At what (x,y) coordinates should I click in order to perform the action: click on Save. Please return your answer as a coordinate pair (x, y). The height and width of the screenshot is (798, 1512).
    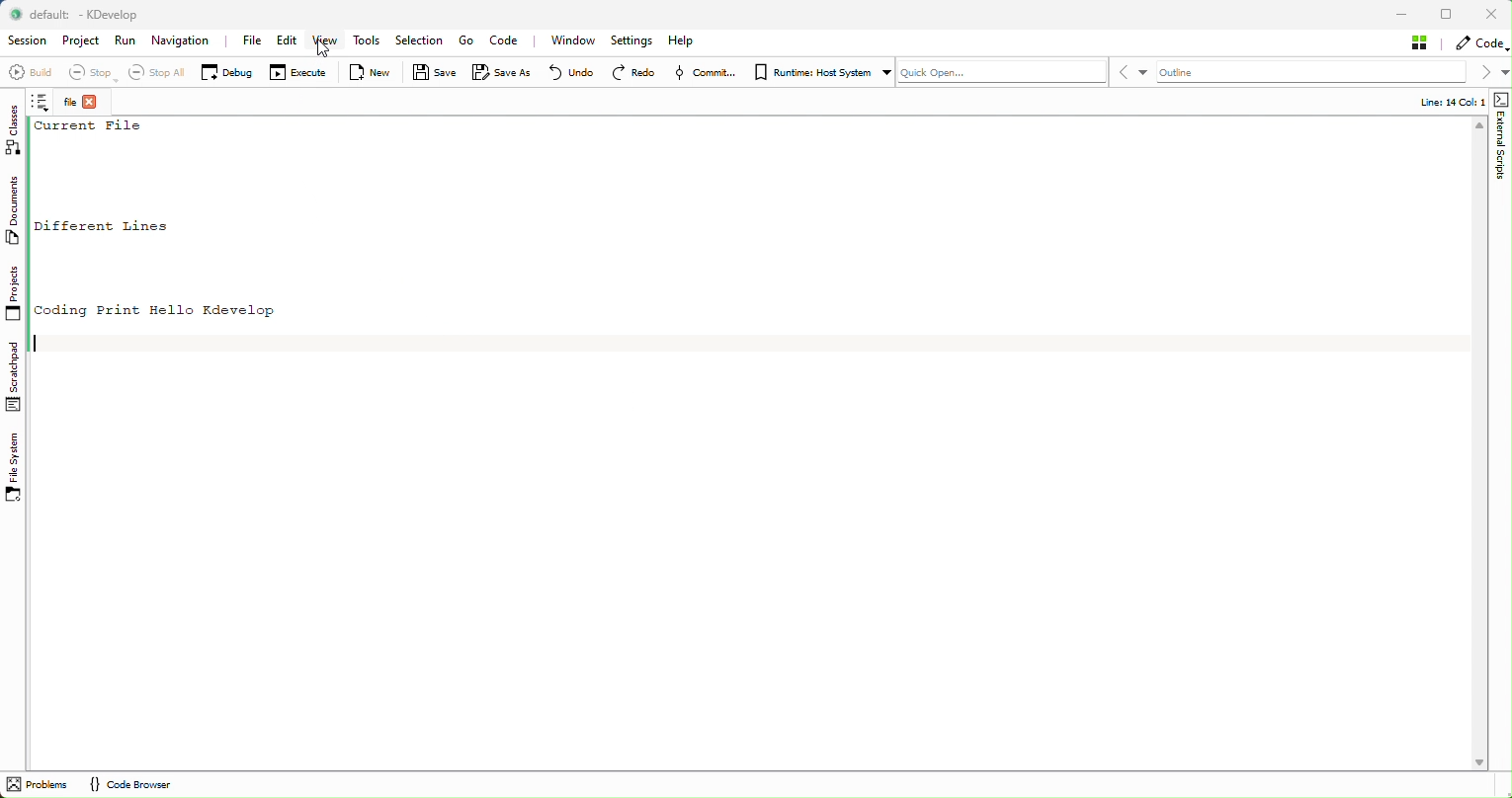
    Looking at the image, I should click on (433, 73).